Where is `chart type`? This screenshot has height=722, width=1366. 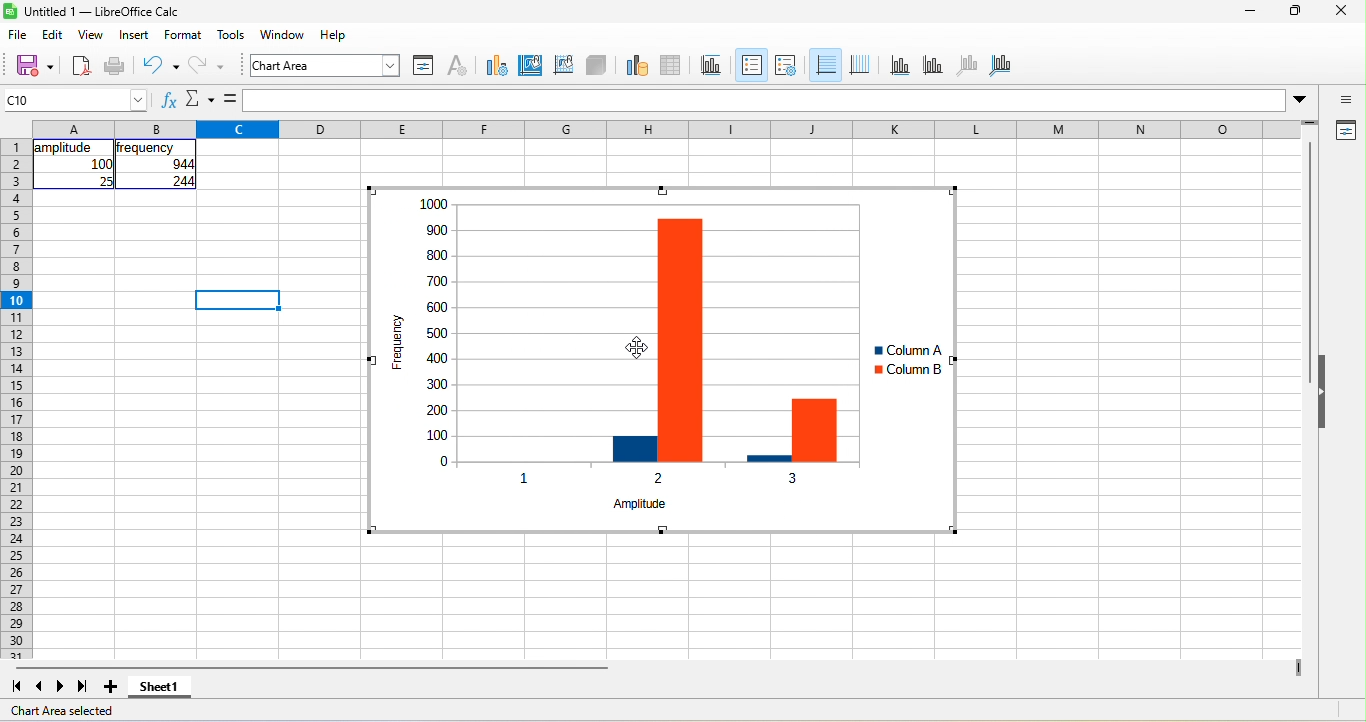 chart type is located at coordinates (497, 66).